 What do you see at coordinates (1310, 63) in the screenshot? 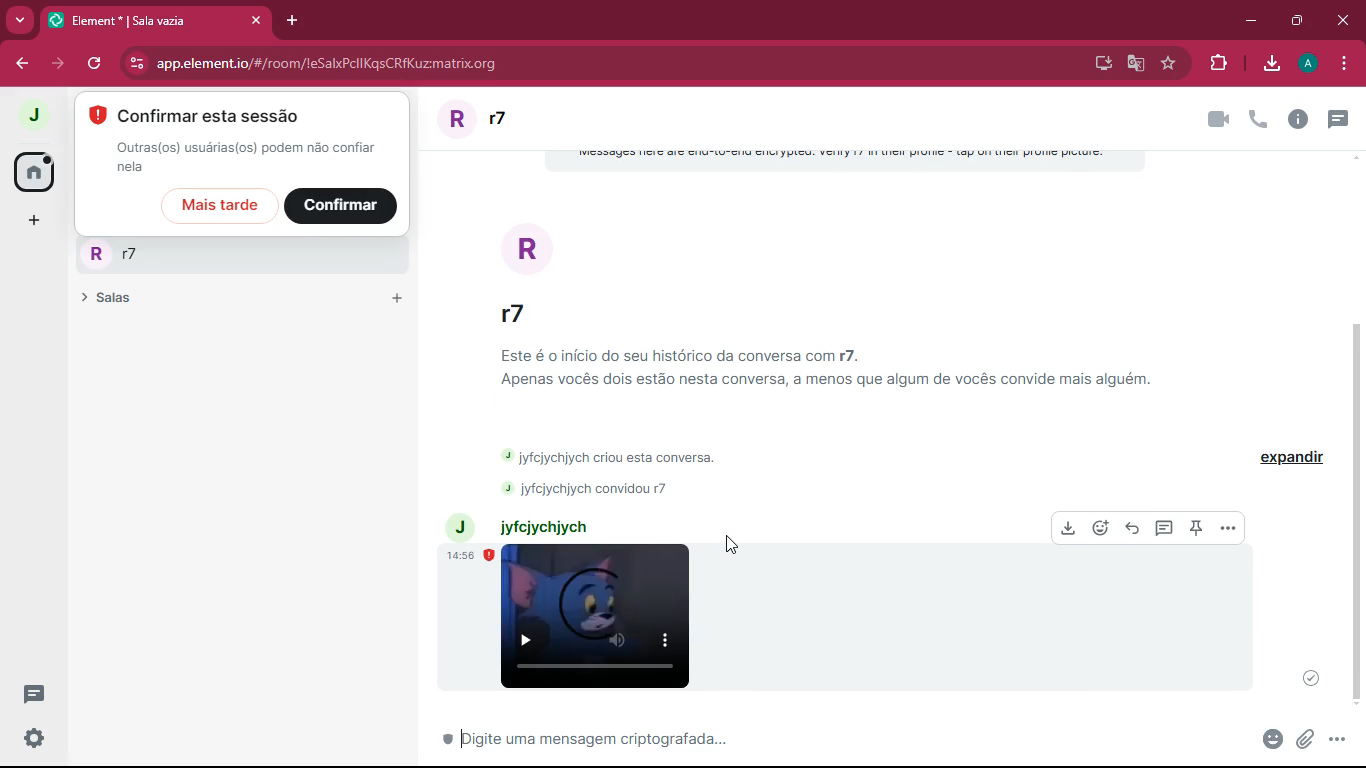
I see `a` at bounding box center [1310, 63].